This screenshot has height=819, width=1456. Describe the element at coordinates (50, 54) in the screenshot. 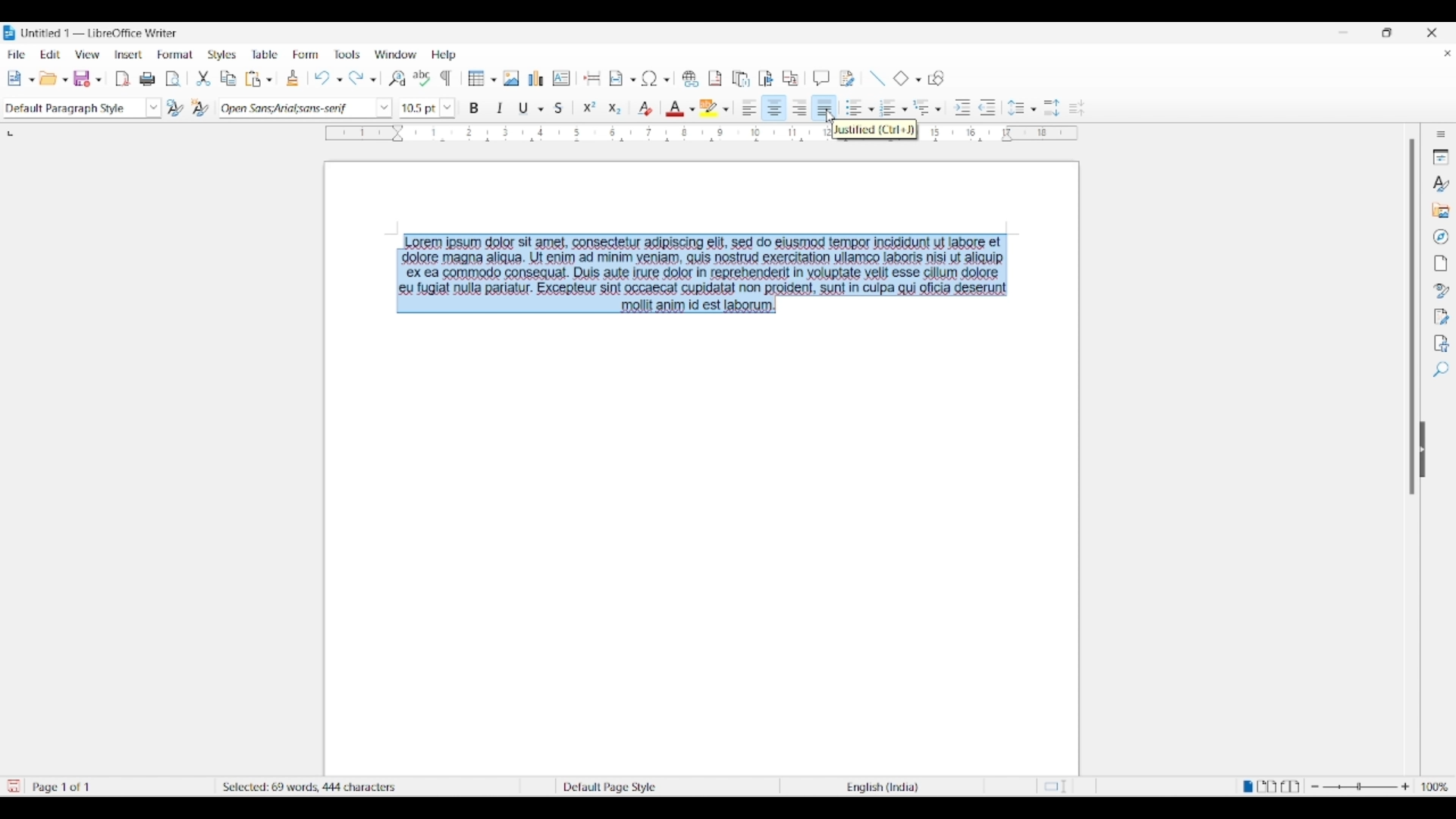

I see `Edit` at that location.